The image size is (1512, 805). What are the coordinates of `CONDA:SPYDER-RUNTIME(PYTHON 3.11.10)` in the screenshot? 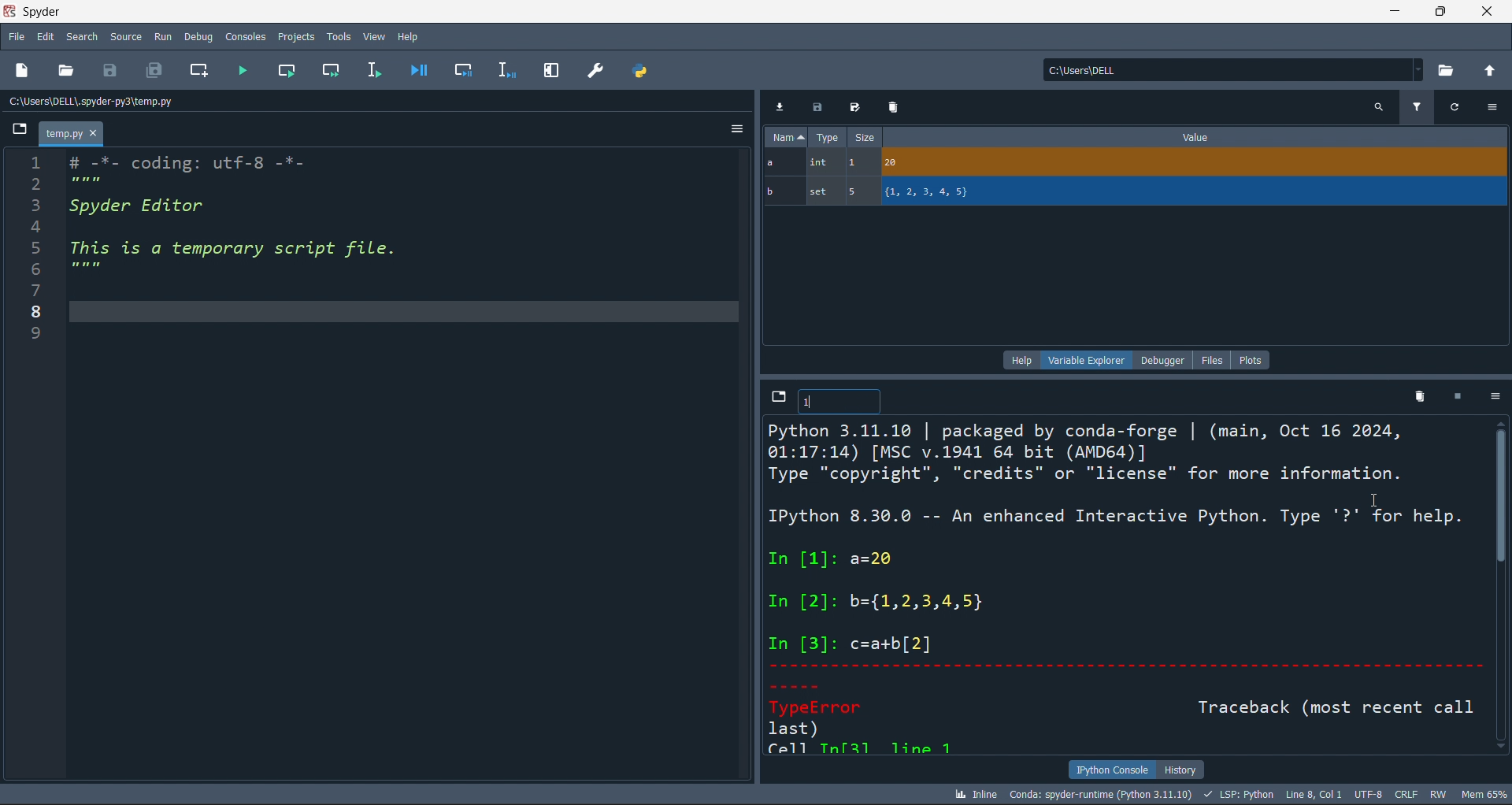 It's located at (1099, 793).